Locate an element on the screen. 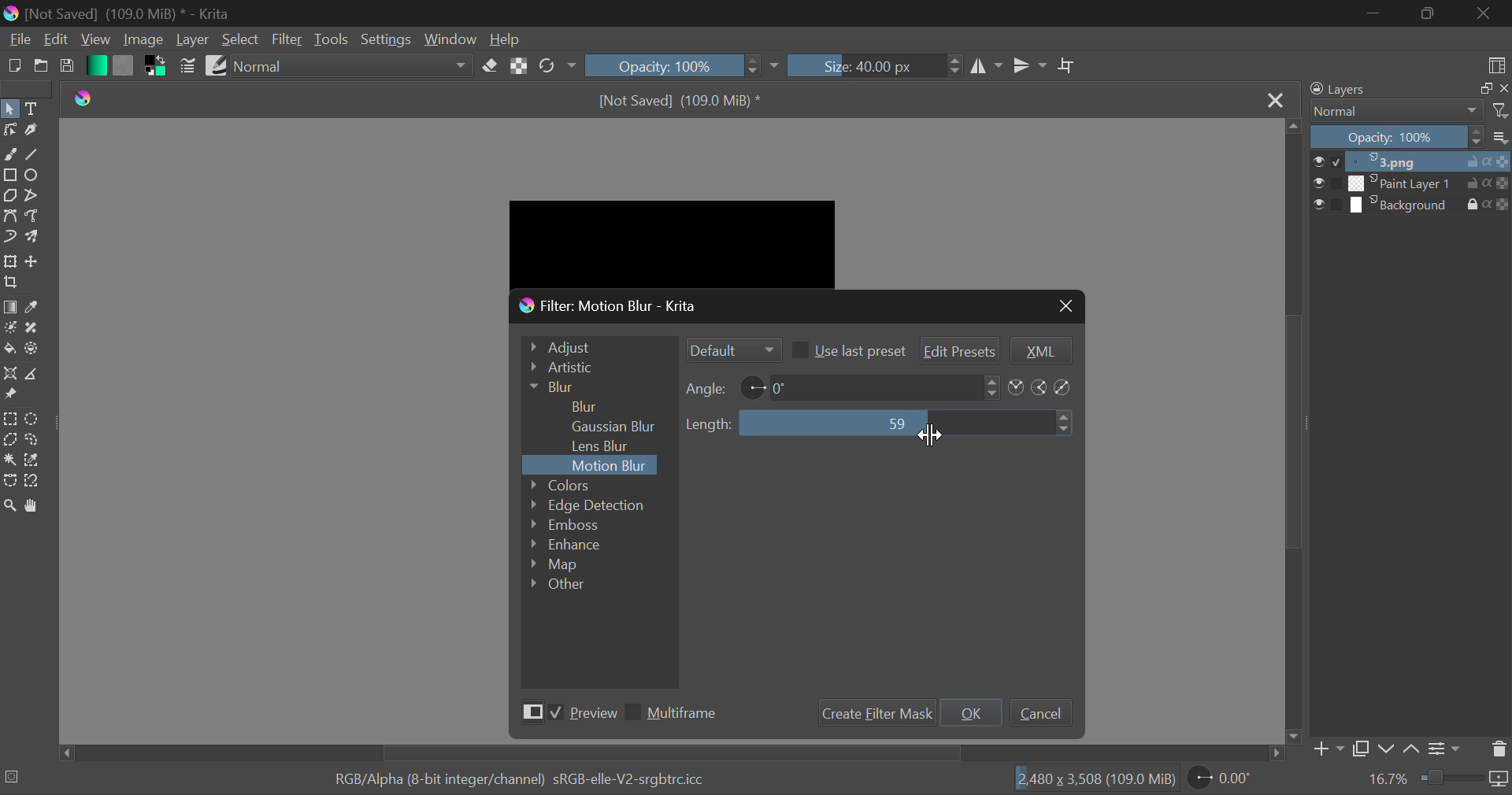 This screenshot has height=795, width=1512. Help is located at coordinates (507, 39).